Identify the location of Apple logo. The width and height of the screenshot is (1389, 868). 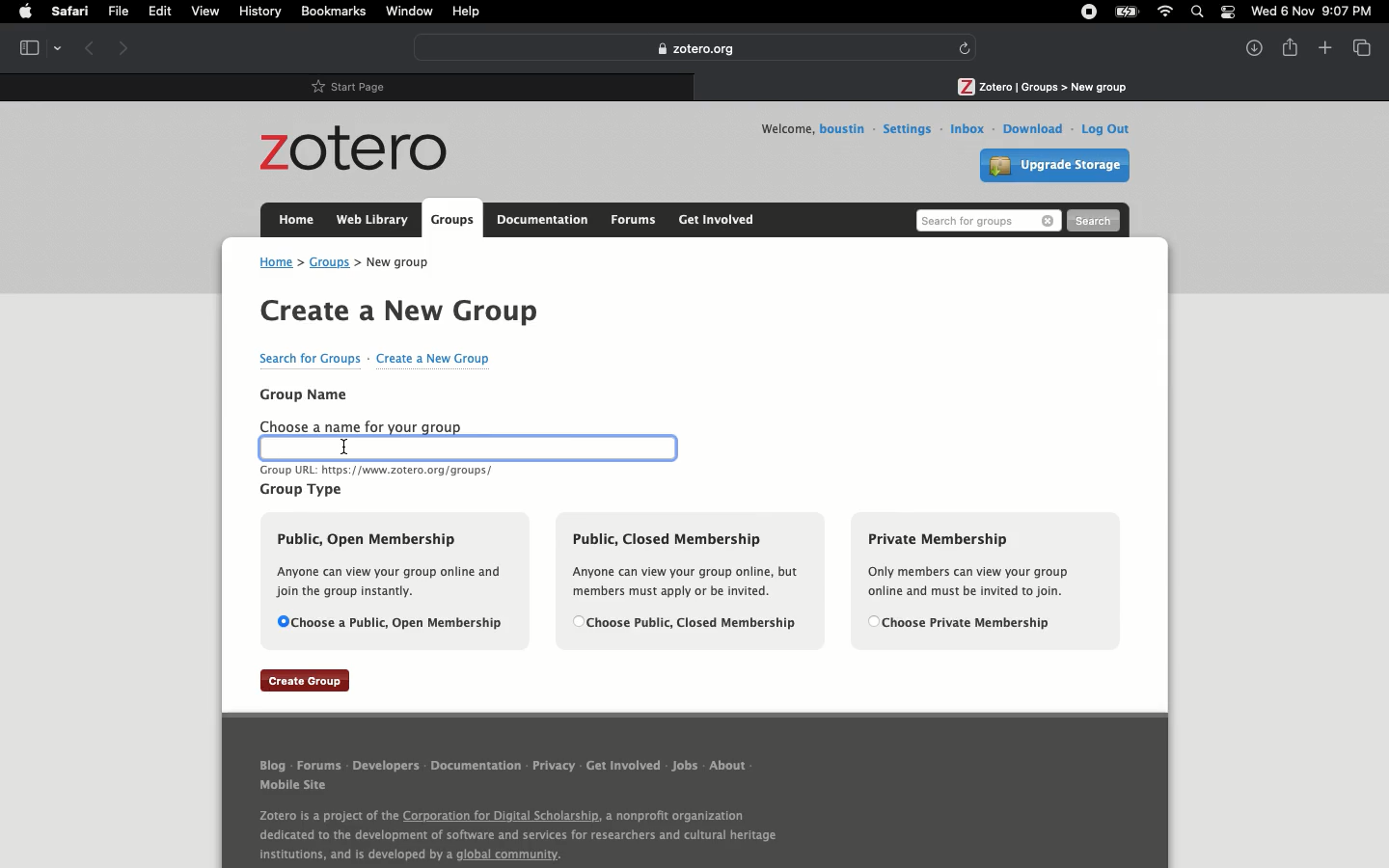
(24, 13).